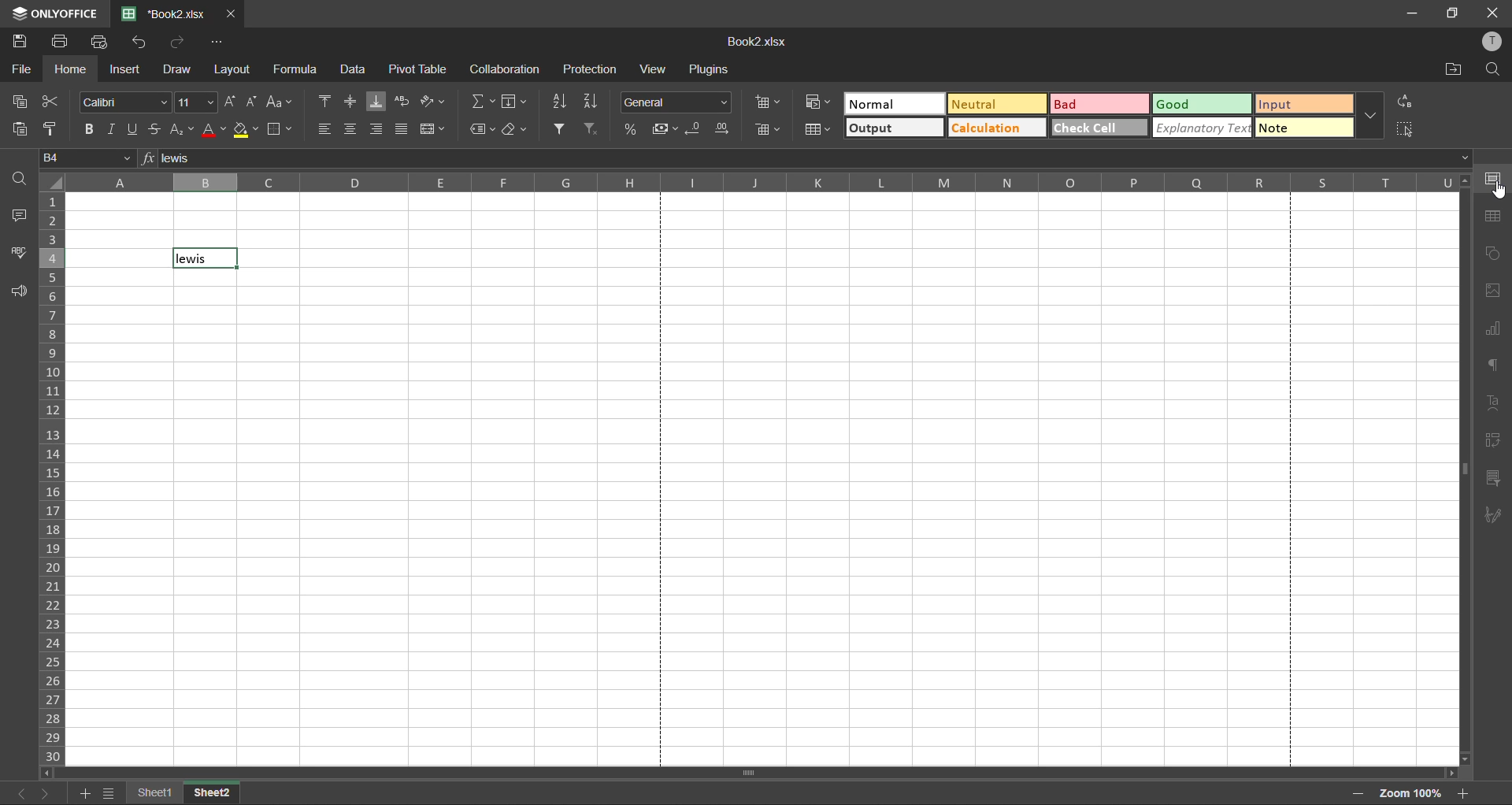  I want to click on font size, so click(196, 103).